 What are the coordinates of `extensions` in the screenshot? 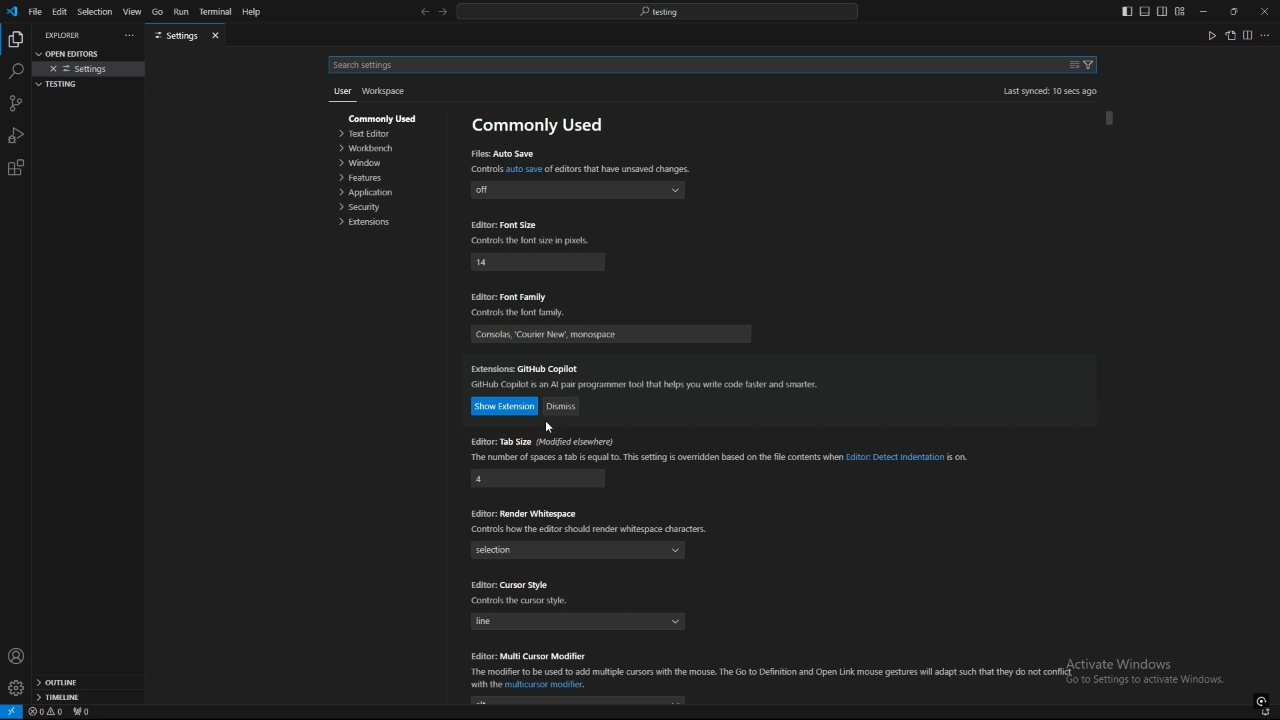 It's located at (384, 223).